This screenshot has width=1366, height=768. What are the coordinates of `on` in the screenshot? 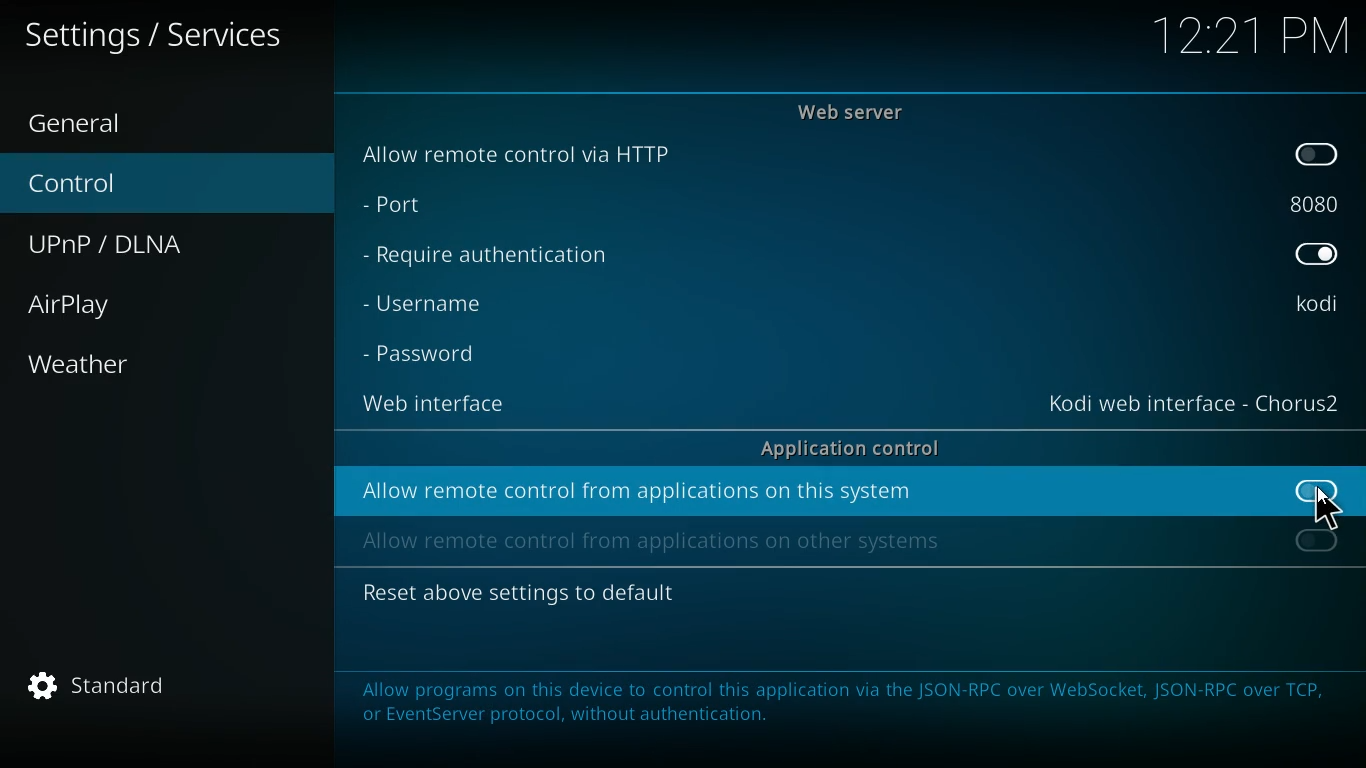 It's located at (1316, 252).